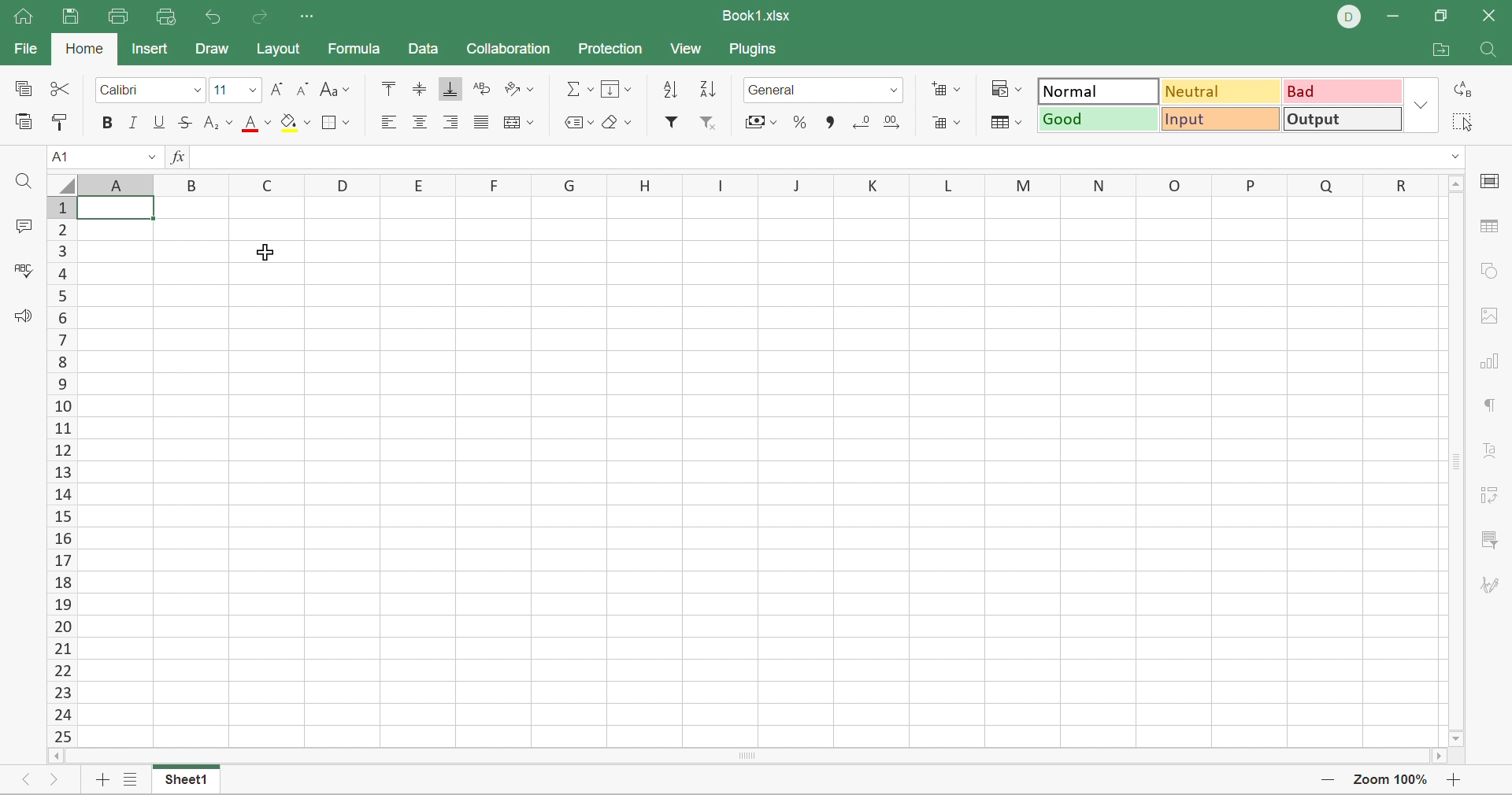 This screenshot has width=1512, height=795. What do you see at coordinates (1491, 362) in the screenshot?
I see `chart settings` at bounding box center [1491, 362].